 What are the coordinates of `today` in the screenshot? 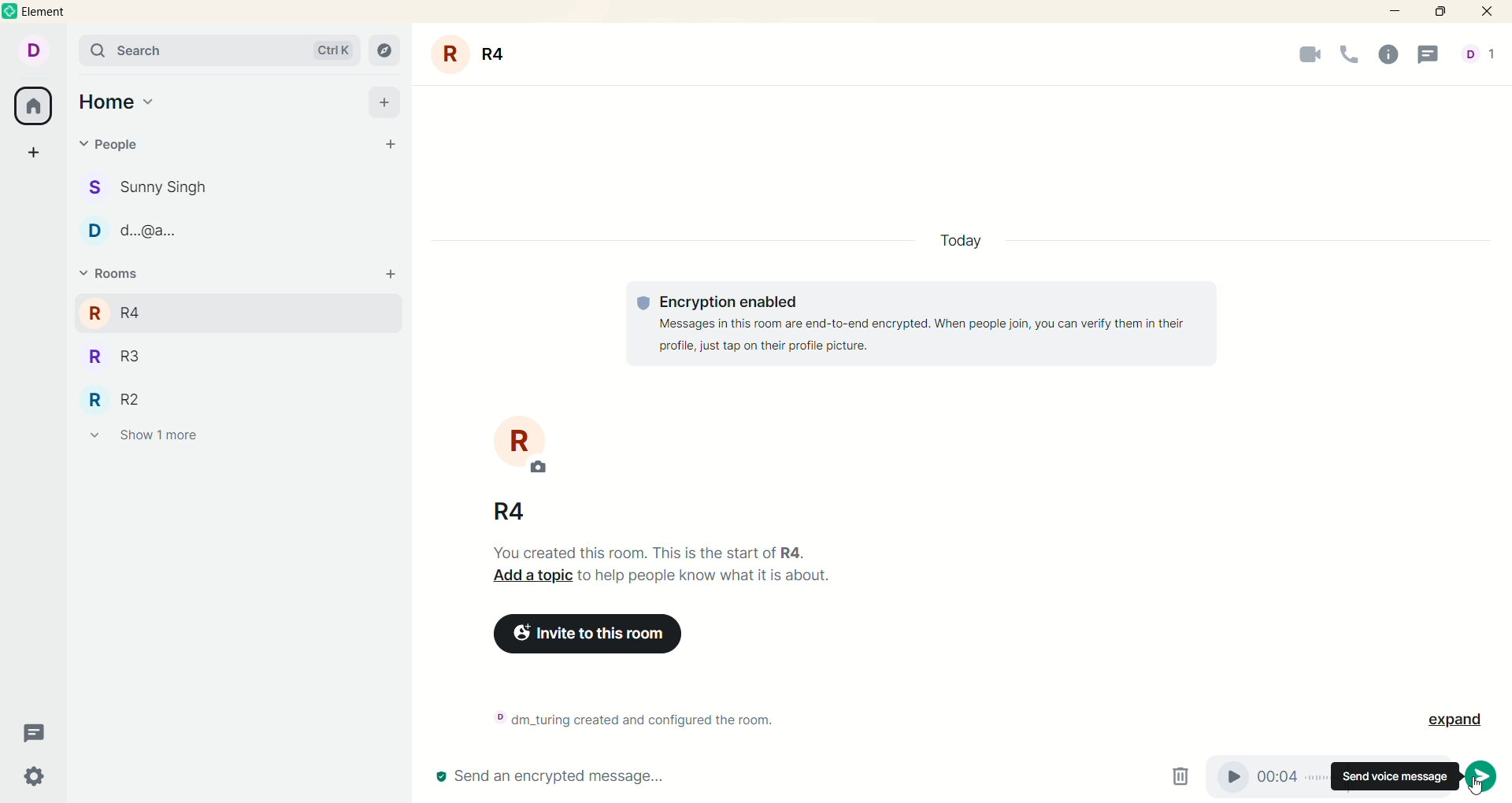 It's located at (953, 240).